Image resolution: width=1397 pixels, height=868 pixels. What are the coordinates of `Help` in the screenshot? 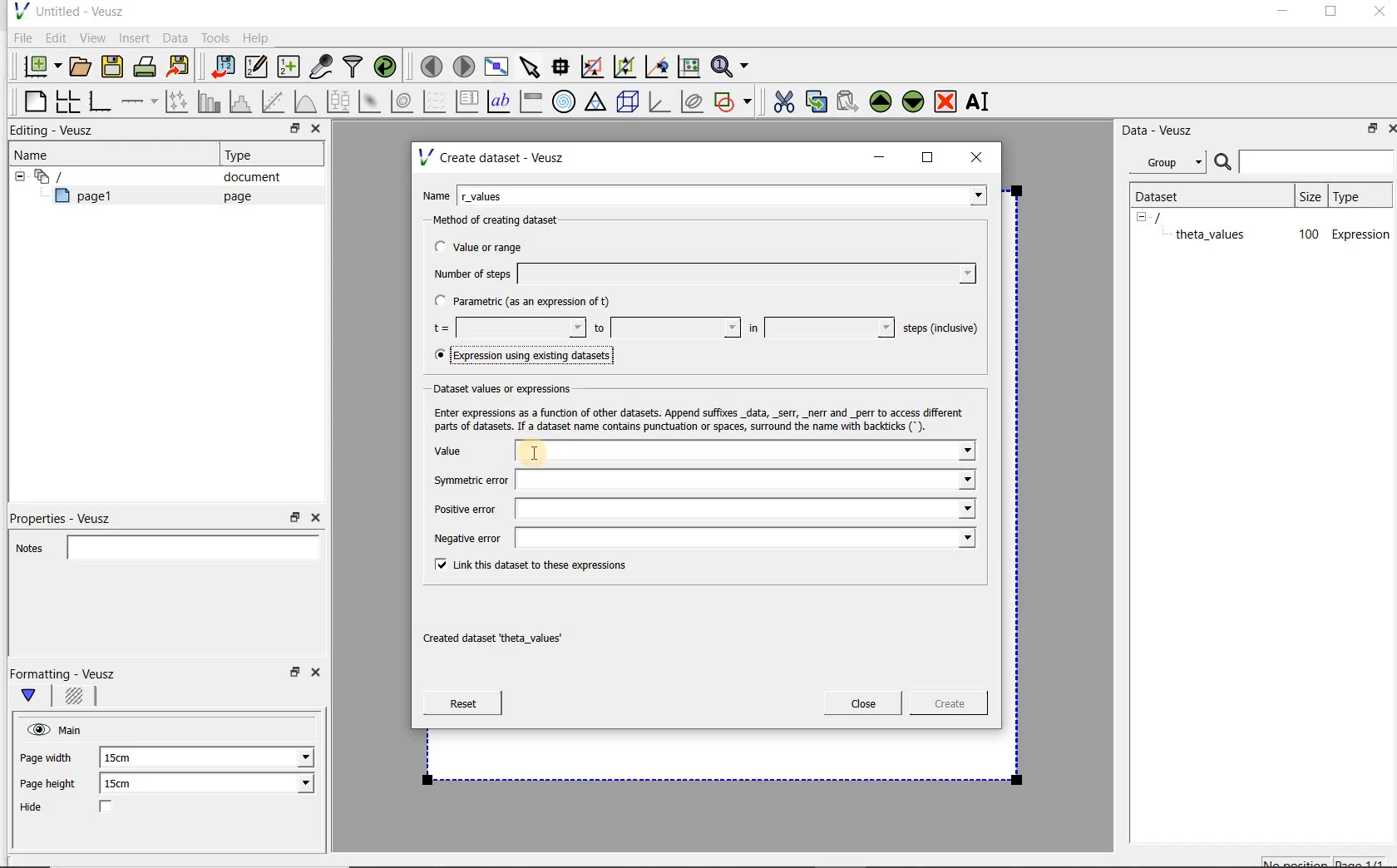 It's located at (258, 37).